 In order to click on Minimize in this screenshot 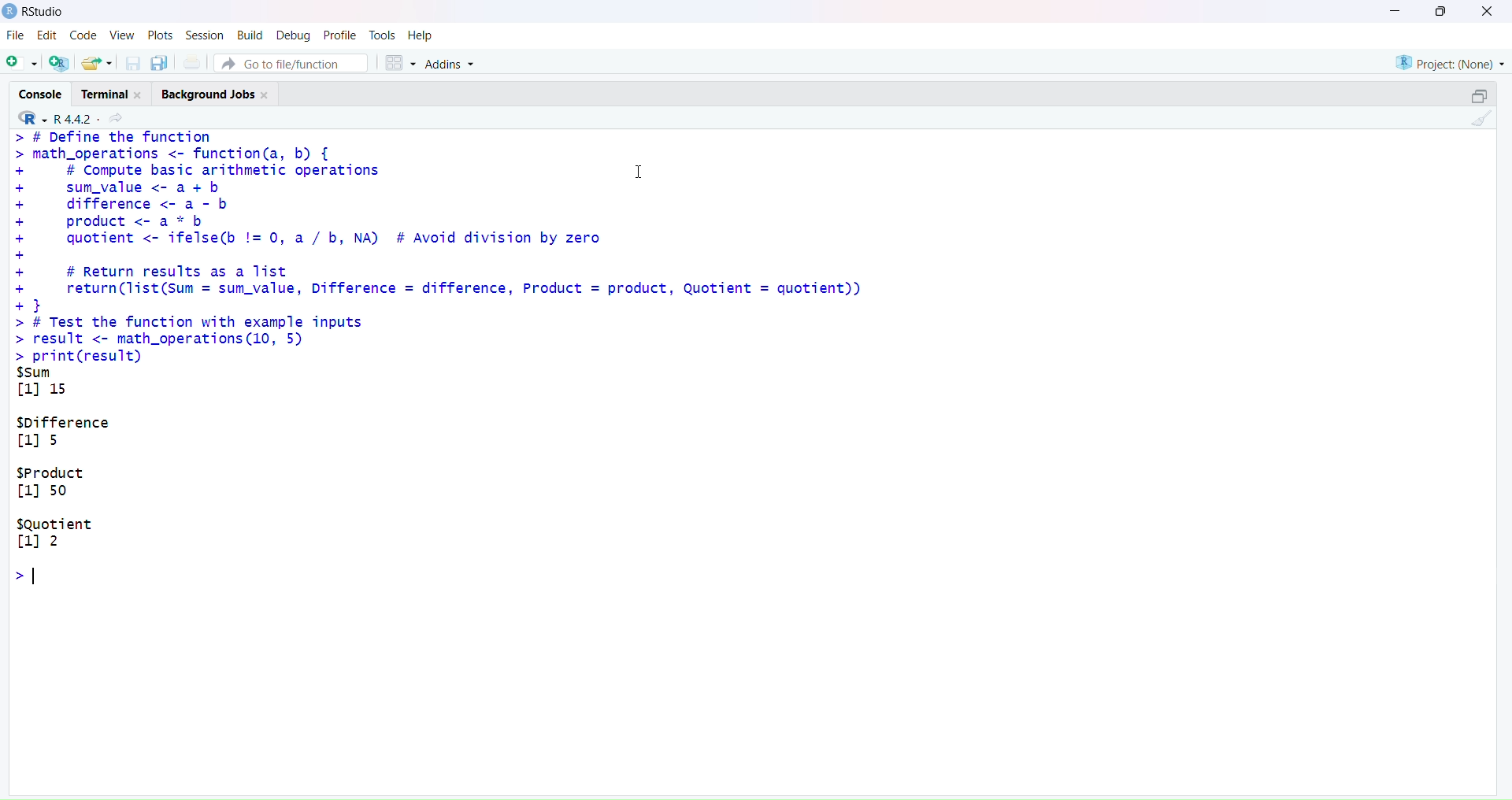, I will do `click(1396, 9)`.